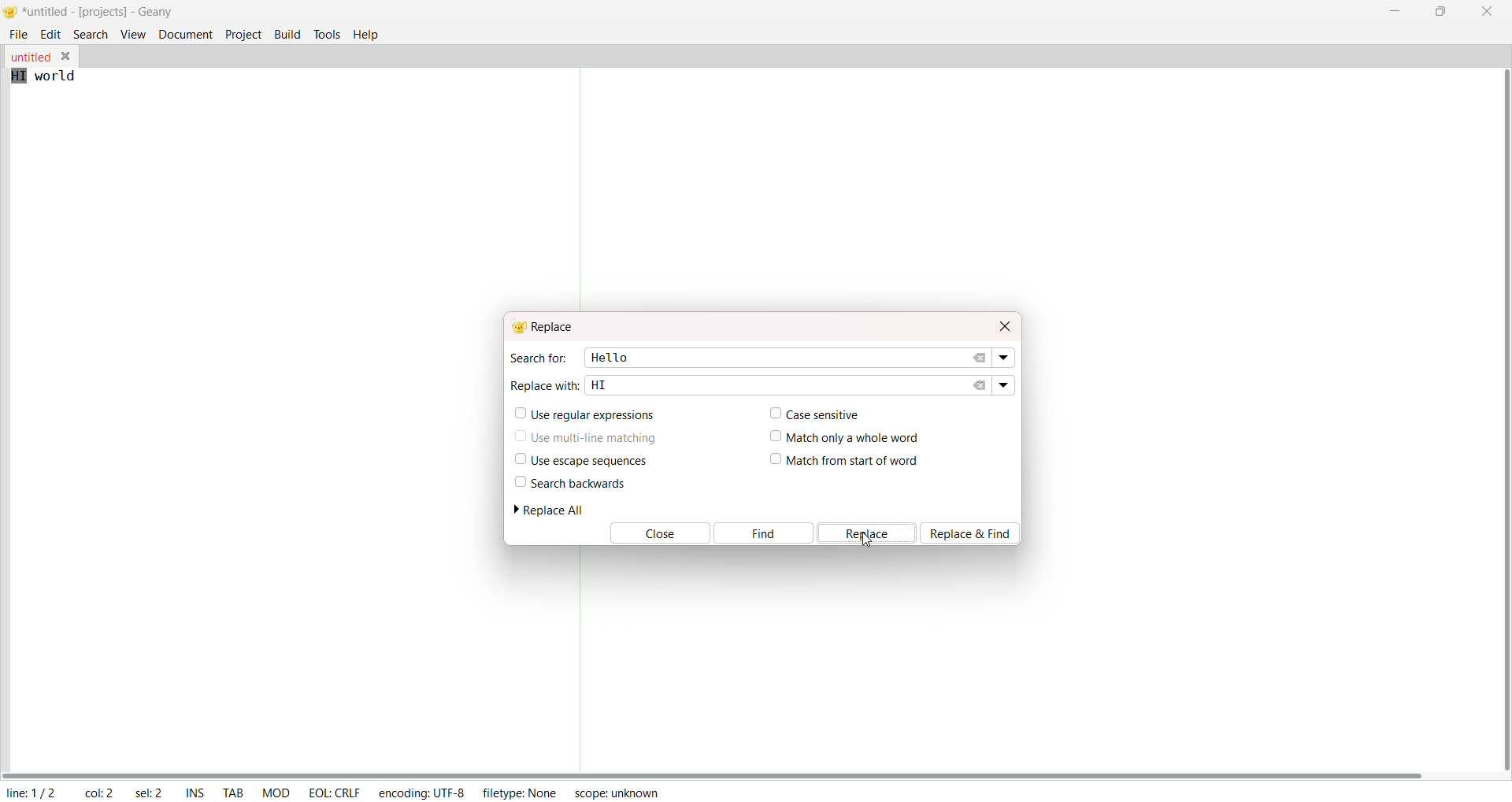 This screenshot has height=802, width=1512. Describe the element at coordinates (658, 534) in the screenshot. I see `Close` at that location.